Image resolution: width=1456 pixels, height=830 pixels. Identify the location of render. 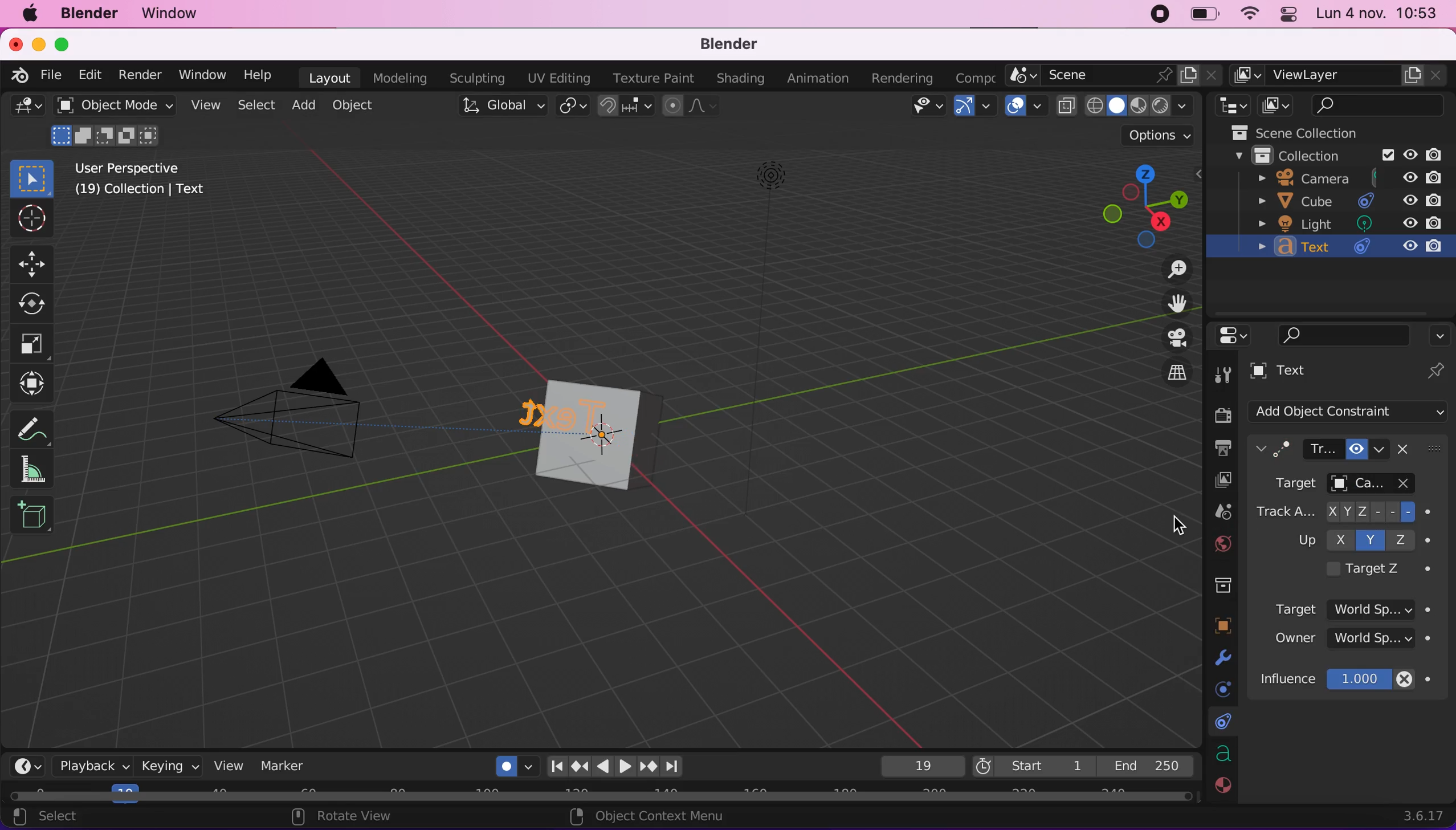
(1218, 410).